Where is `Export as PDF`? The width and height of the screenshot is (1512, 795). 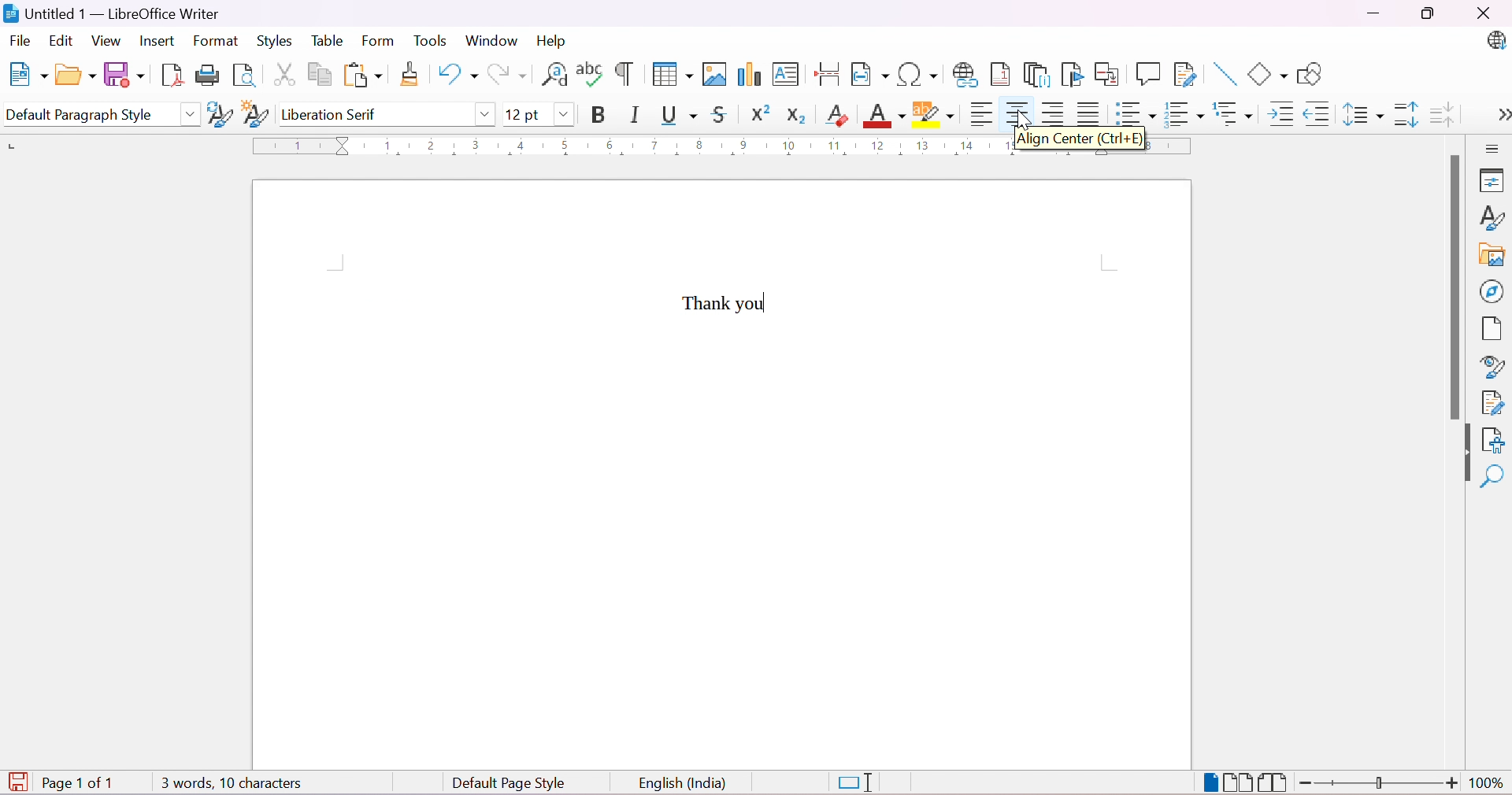 Export as PDF is located at coordinates (169, 77).